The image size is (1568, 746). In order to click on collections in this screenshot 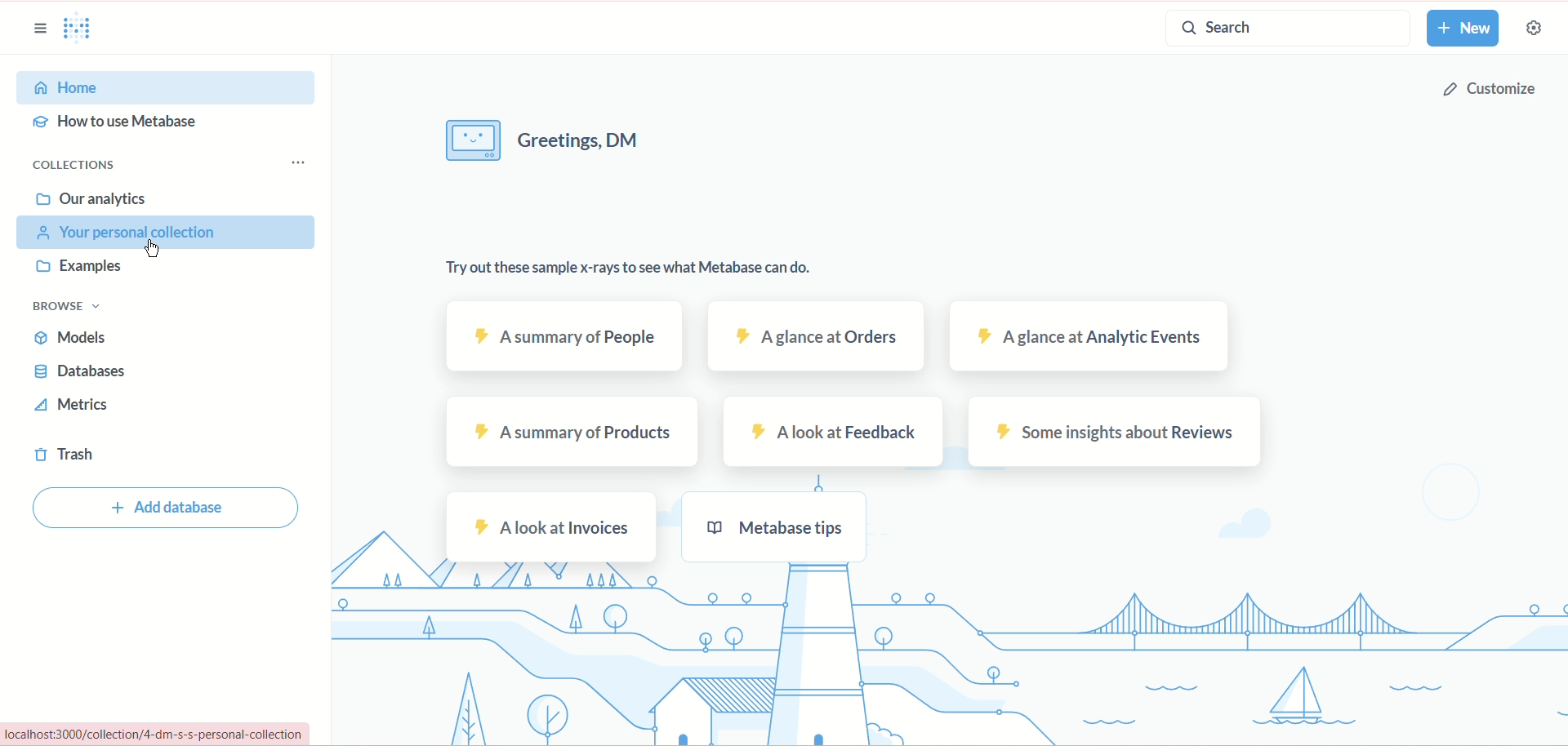, I will do `click(75, 165)`.